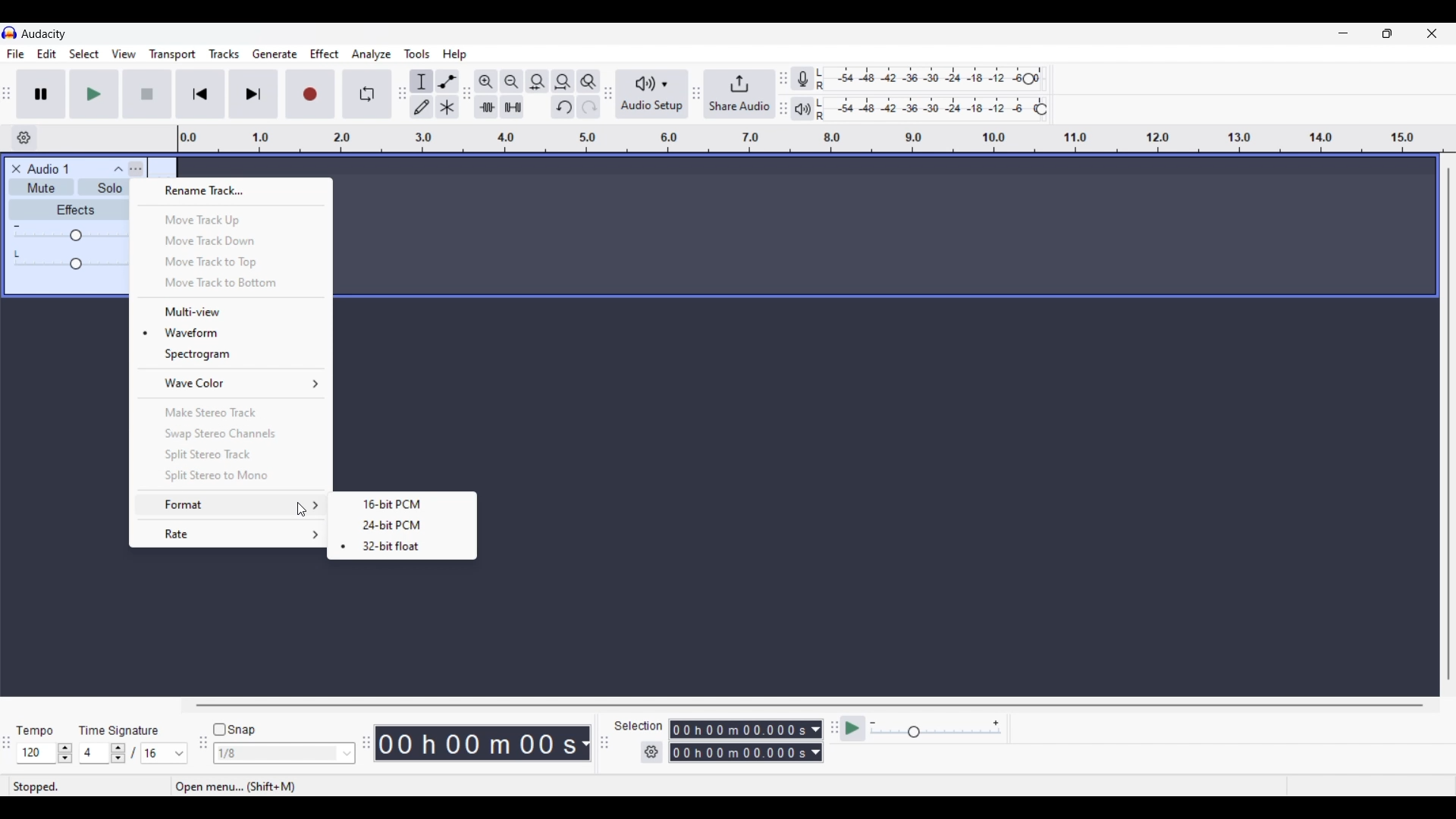 The image size is (1456, 819). Describe the element at coordinates (148, 94) in the screenshot. I see `Stop` at that location.